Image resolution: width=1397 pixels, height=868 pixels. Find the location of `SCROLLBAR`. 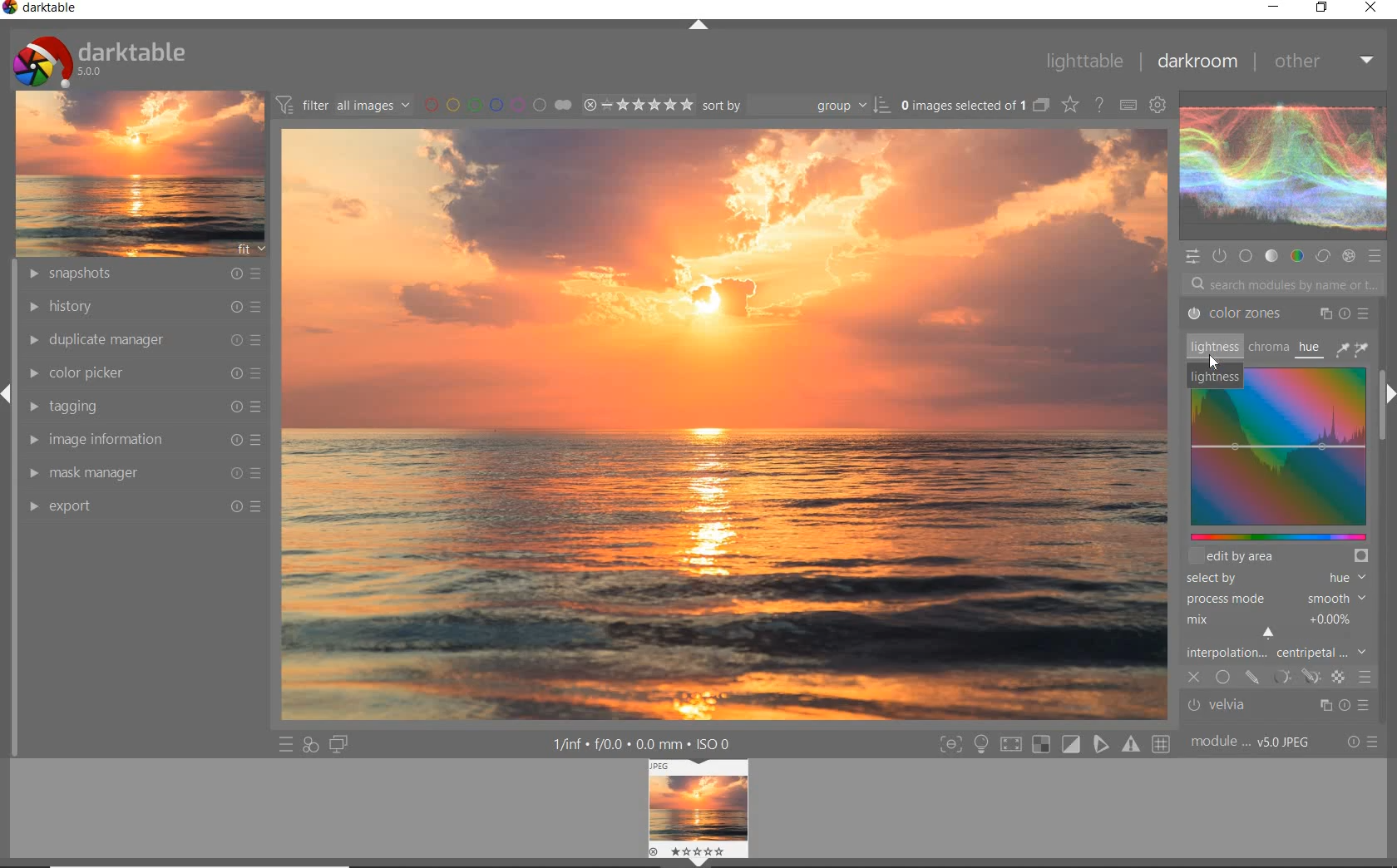

SCROLLBAR is located at coordinates (1385, 338).